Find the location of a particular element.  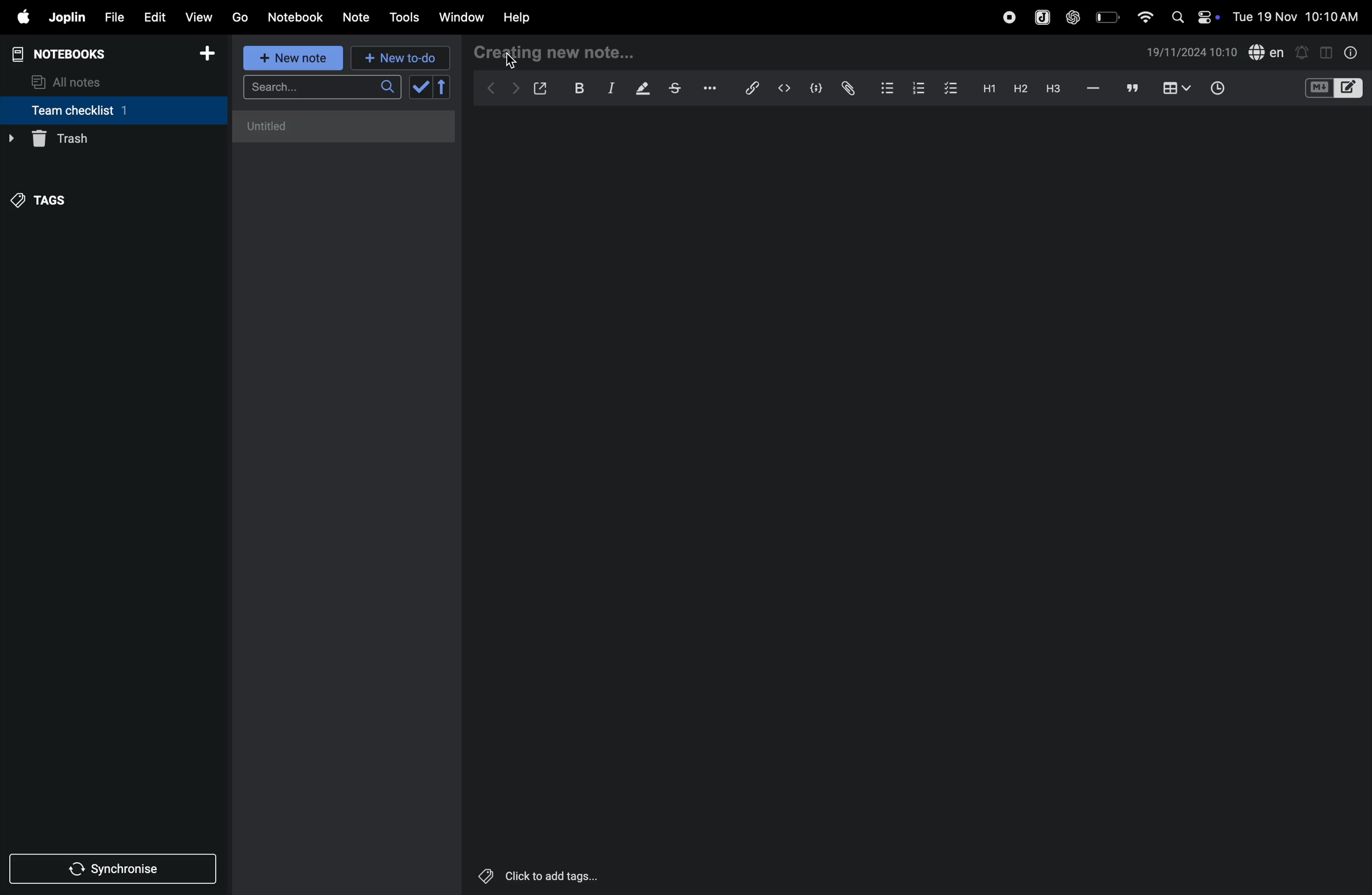

heading 3 is located at coordinates (1053, 88).